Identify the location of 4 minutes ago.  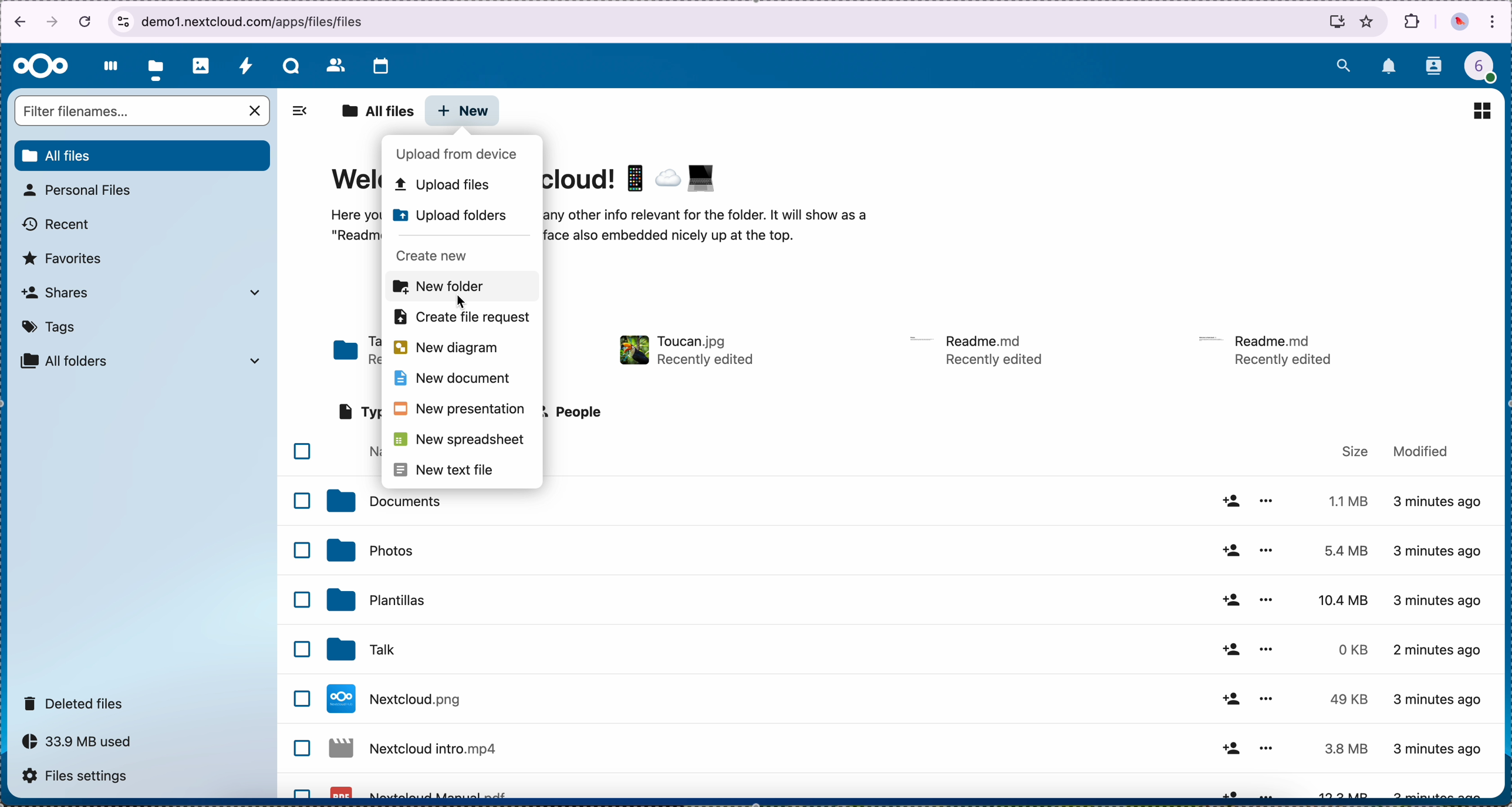
(1440, 551).